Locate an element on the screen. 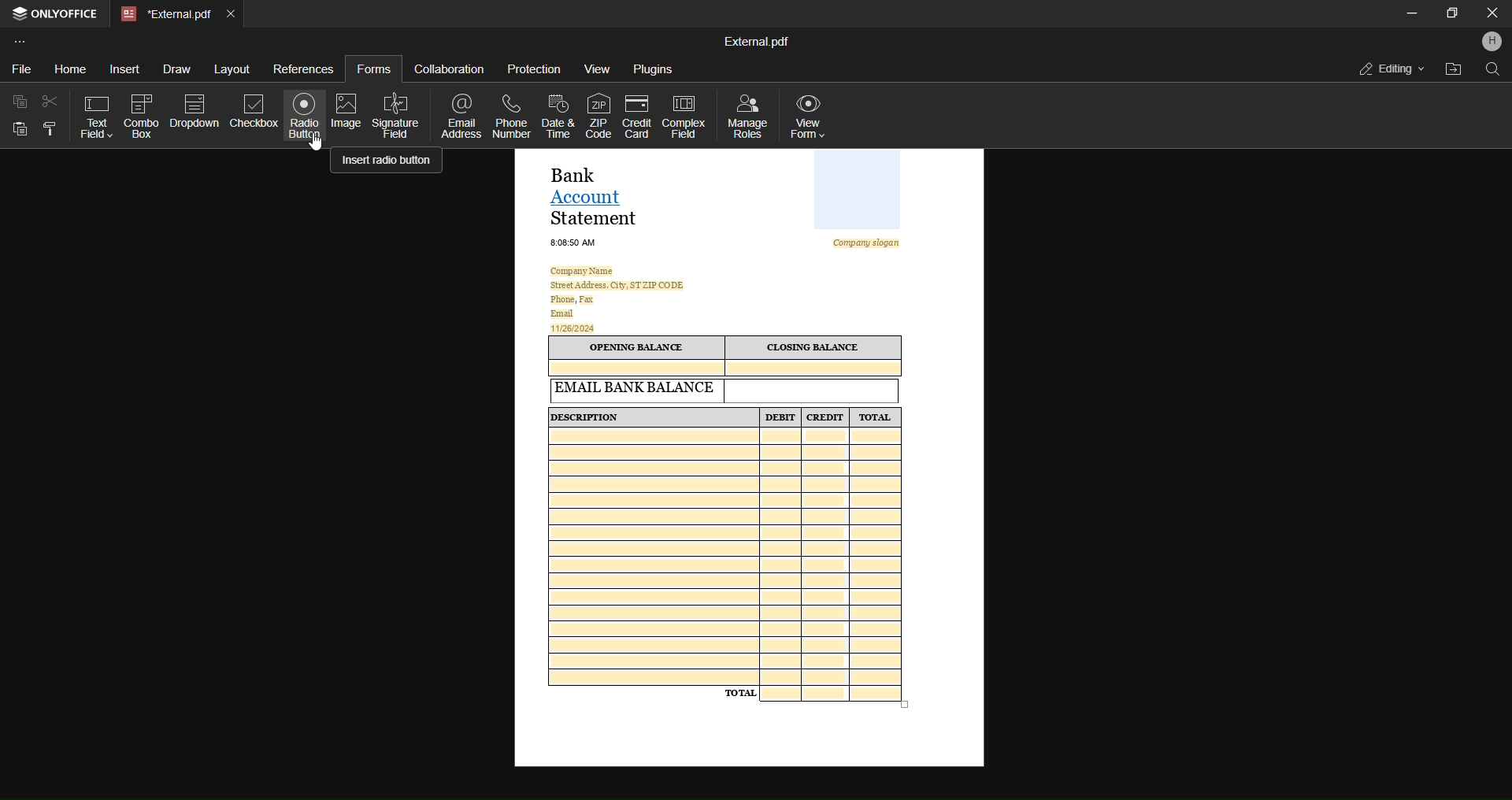  date and time is located at coordinates (558, 115).